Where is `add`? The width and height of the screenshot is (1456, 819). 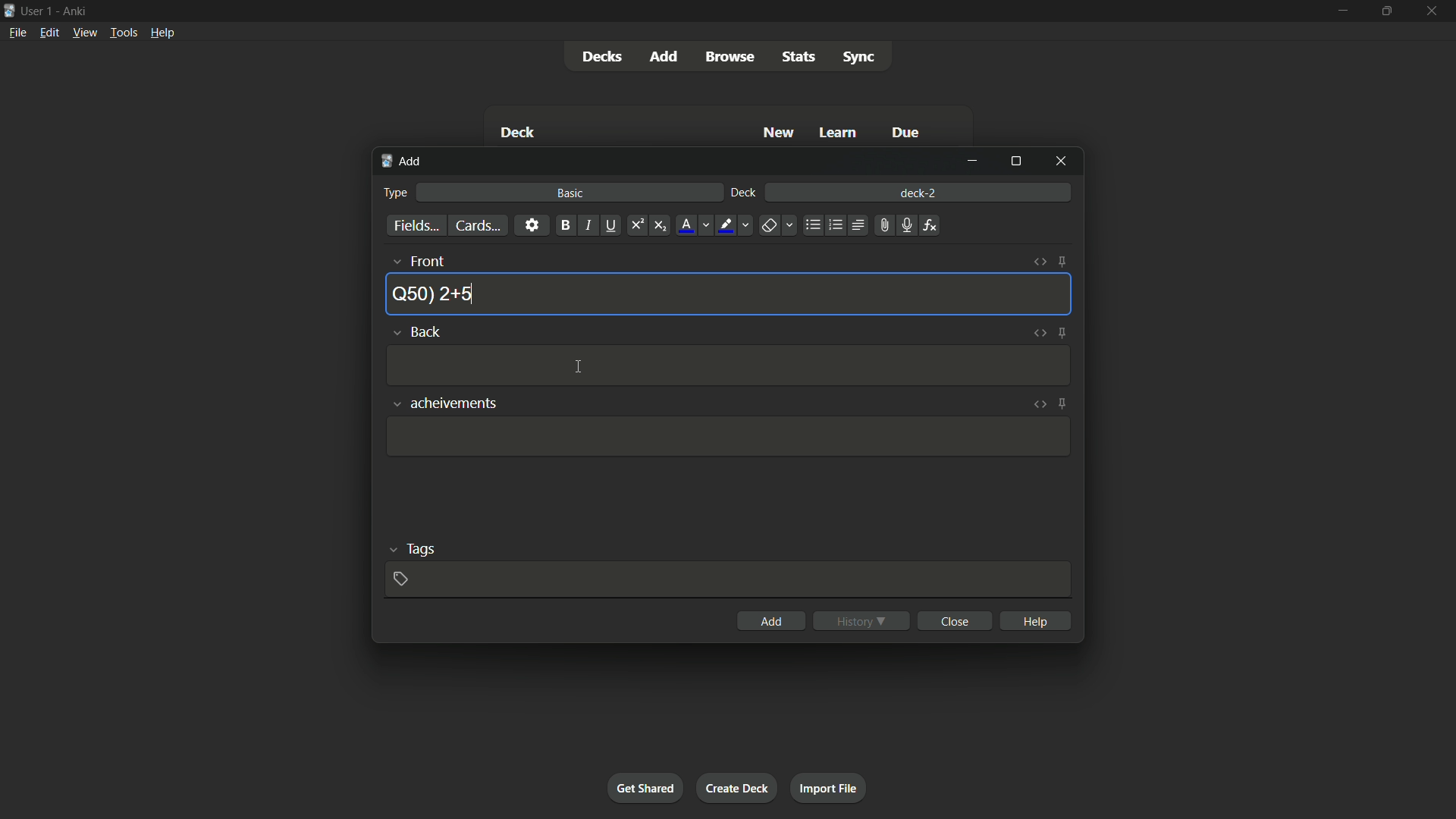 add is located at coordinates (771, 620).